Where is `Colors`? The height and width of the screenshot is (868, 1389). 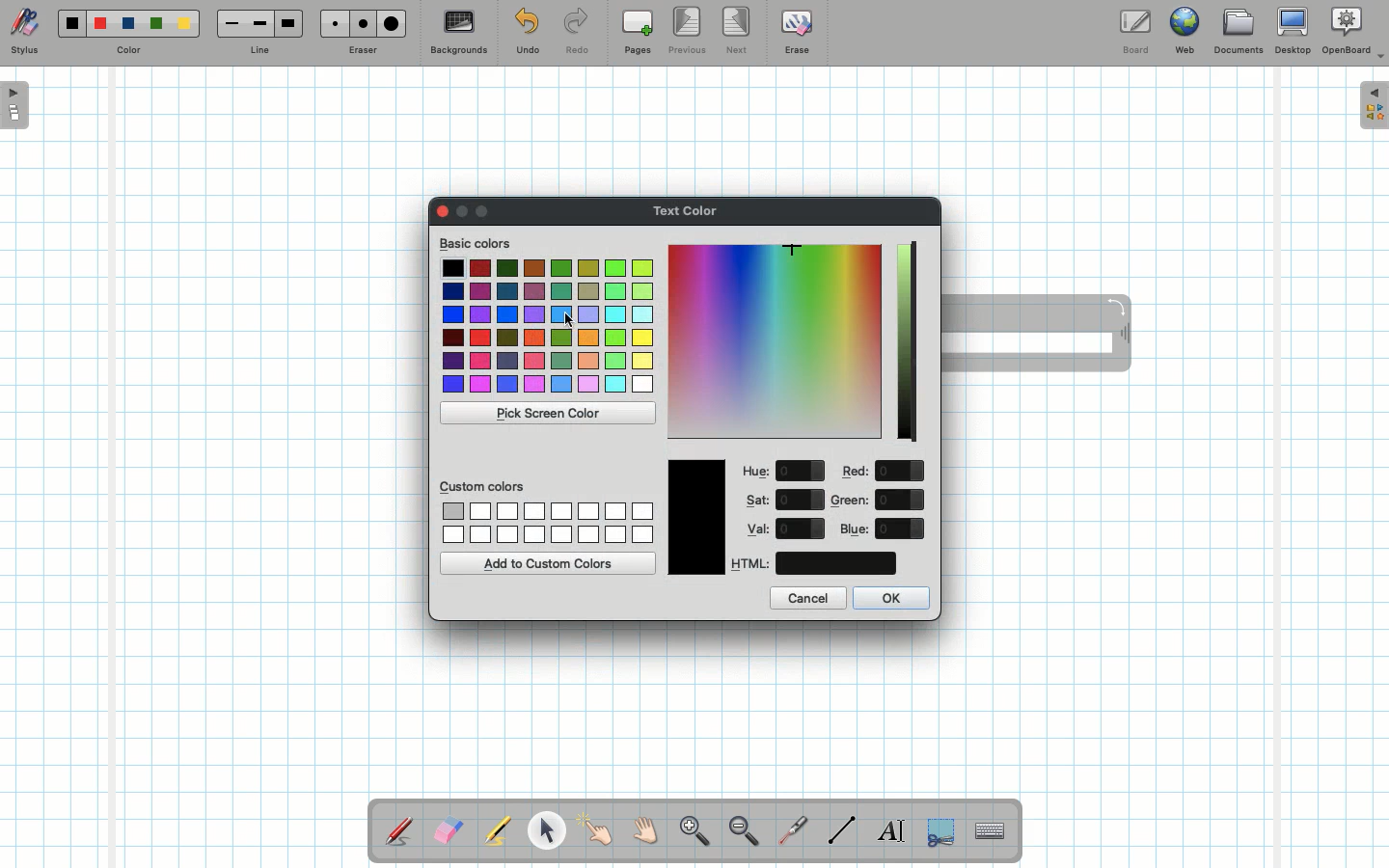
Colors is located at coordinates (548, 328).